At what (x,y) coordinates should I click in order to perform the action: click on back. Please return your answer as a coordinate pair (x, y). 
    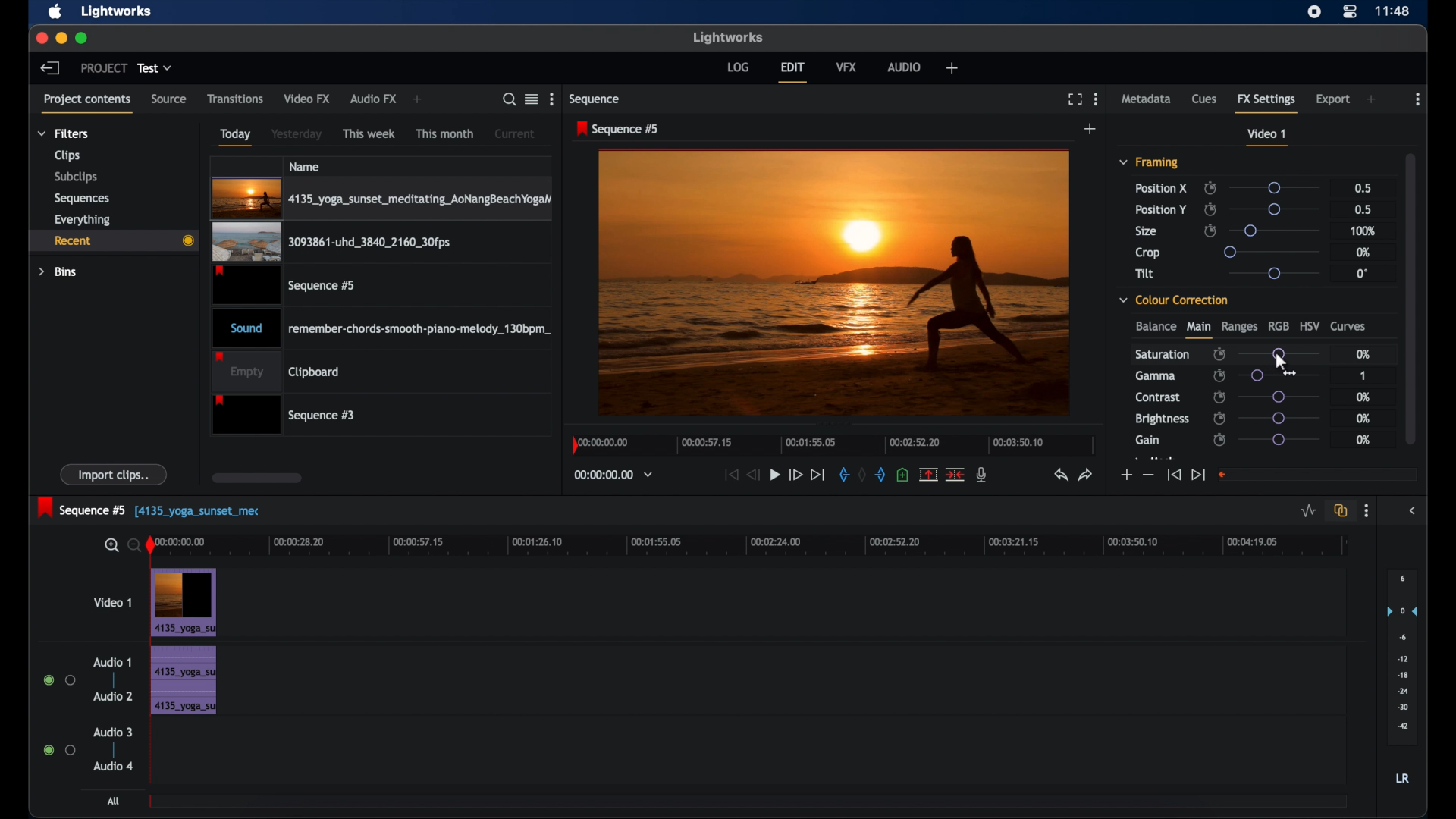
    Looking at the image, I should click on (50, 67).